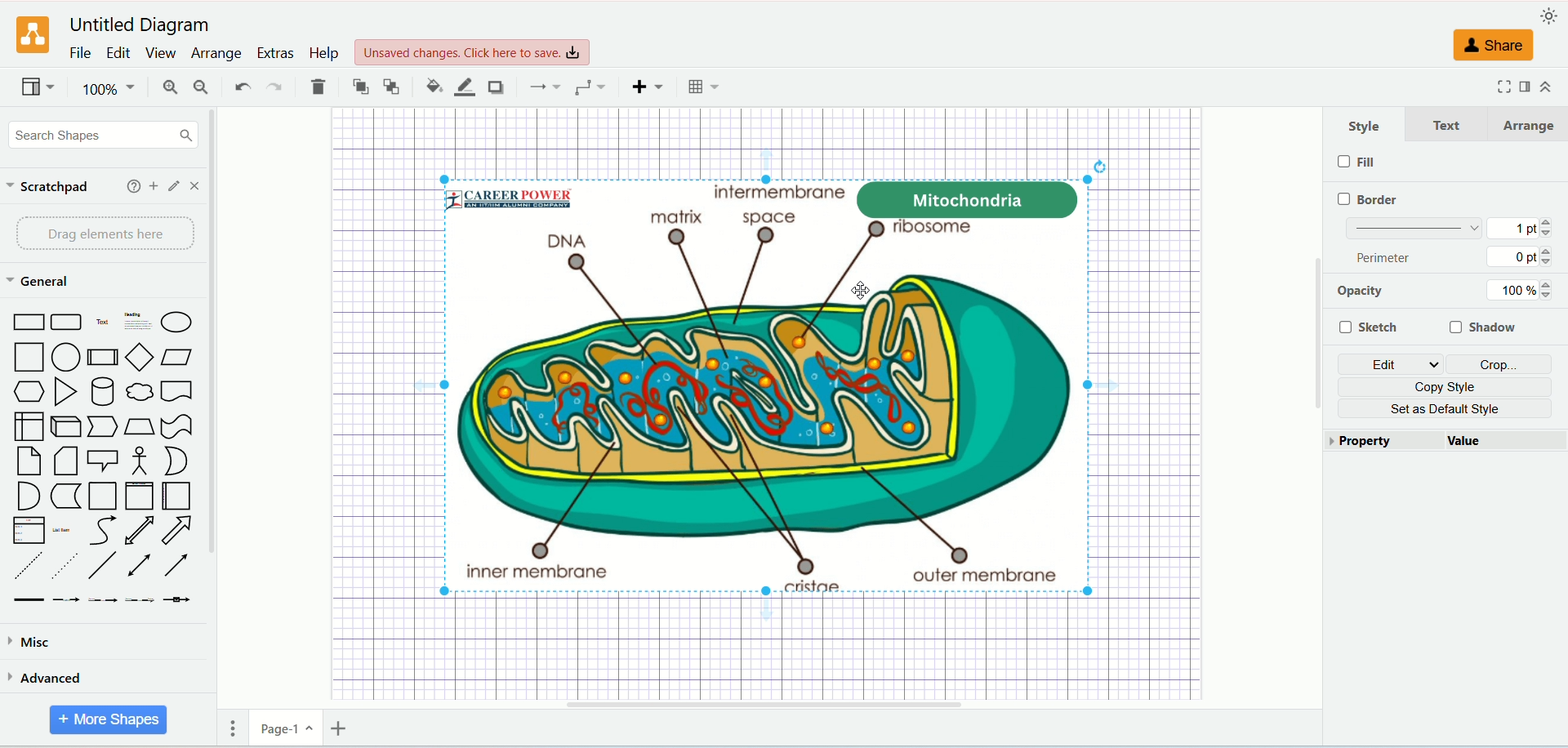 This screenshot has height=748, width=1568. I want to click on undo, so click(238, 86).